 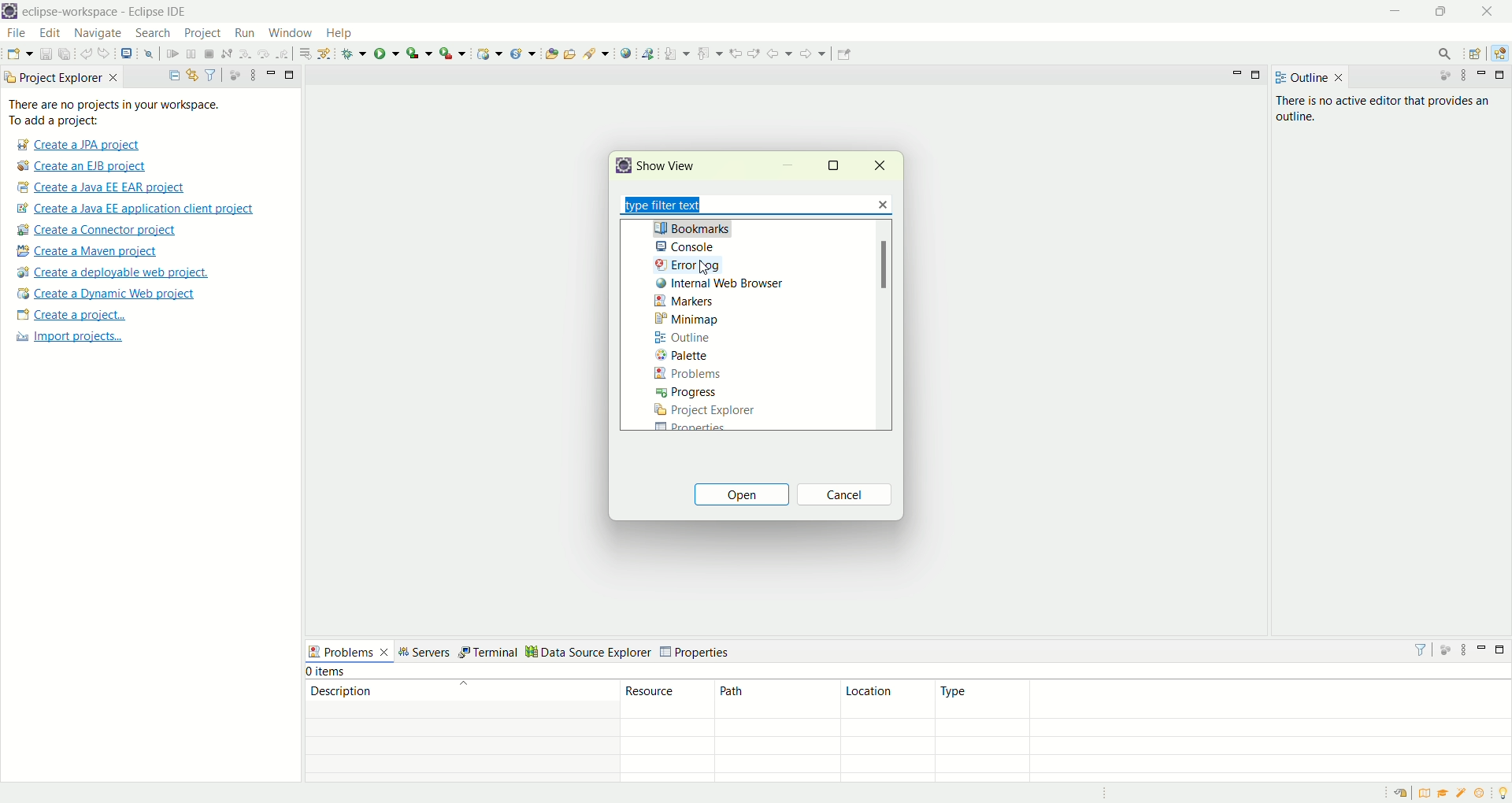 What do you see at coordinates (708, 52) in the screenshot?
I see `previous annotation` at bounding box center [708, 52].